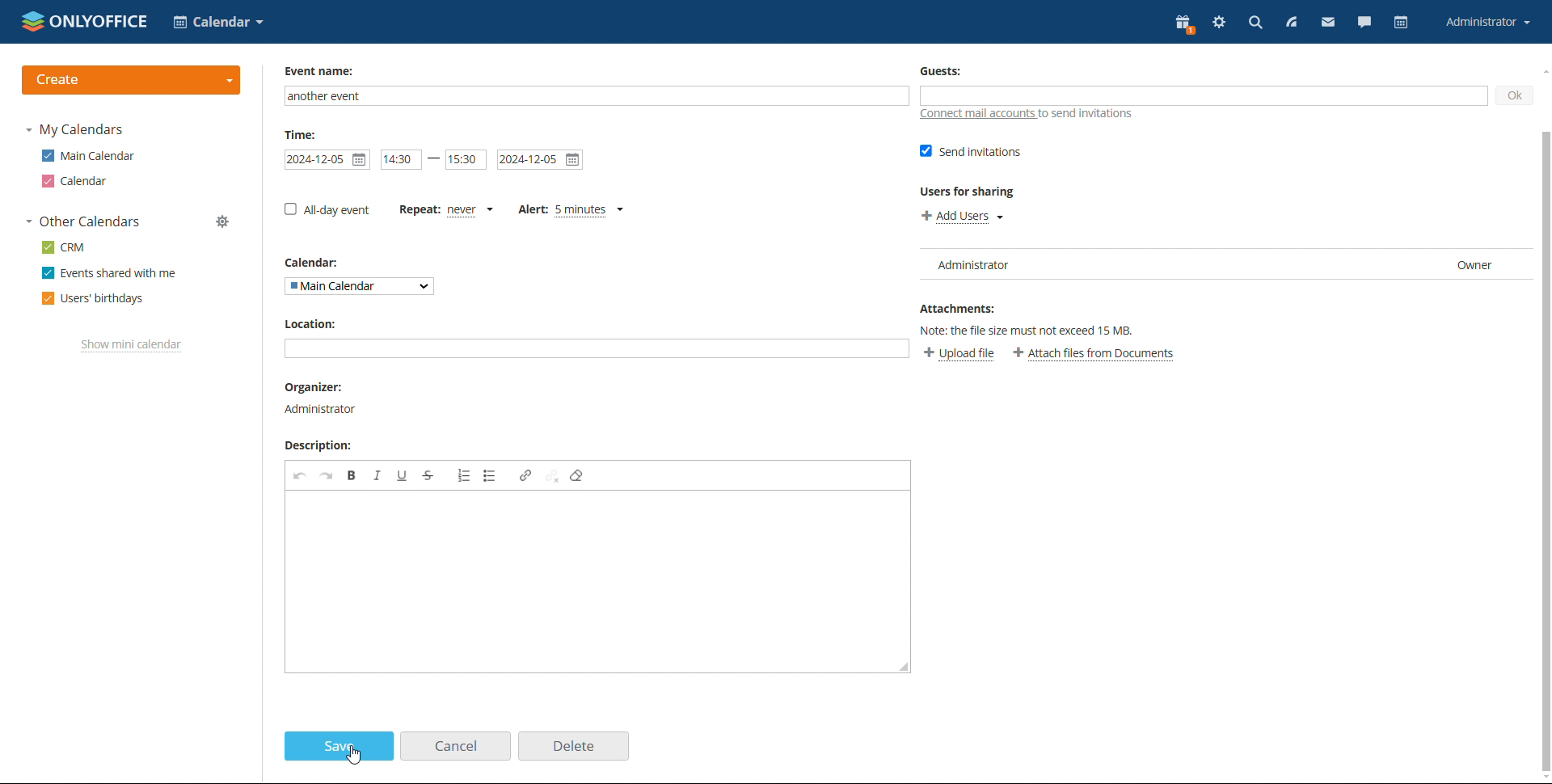 The width and height of the screenshot is (1552, 784). Describe the element at coordinates (578, 475) in the screenshot. I see `remove format` at that location.